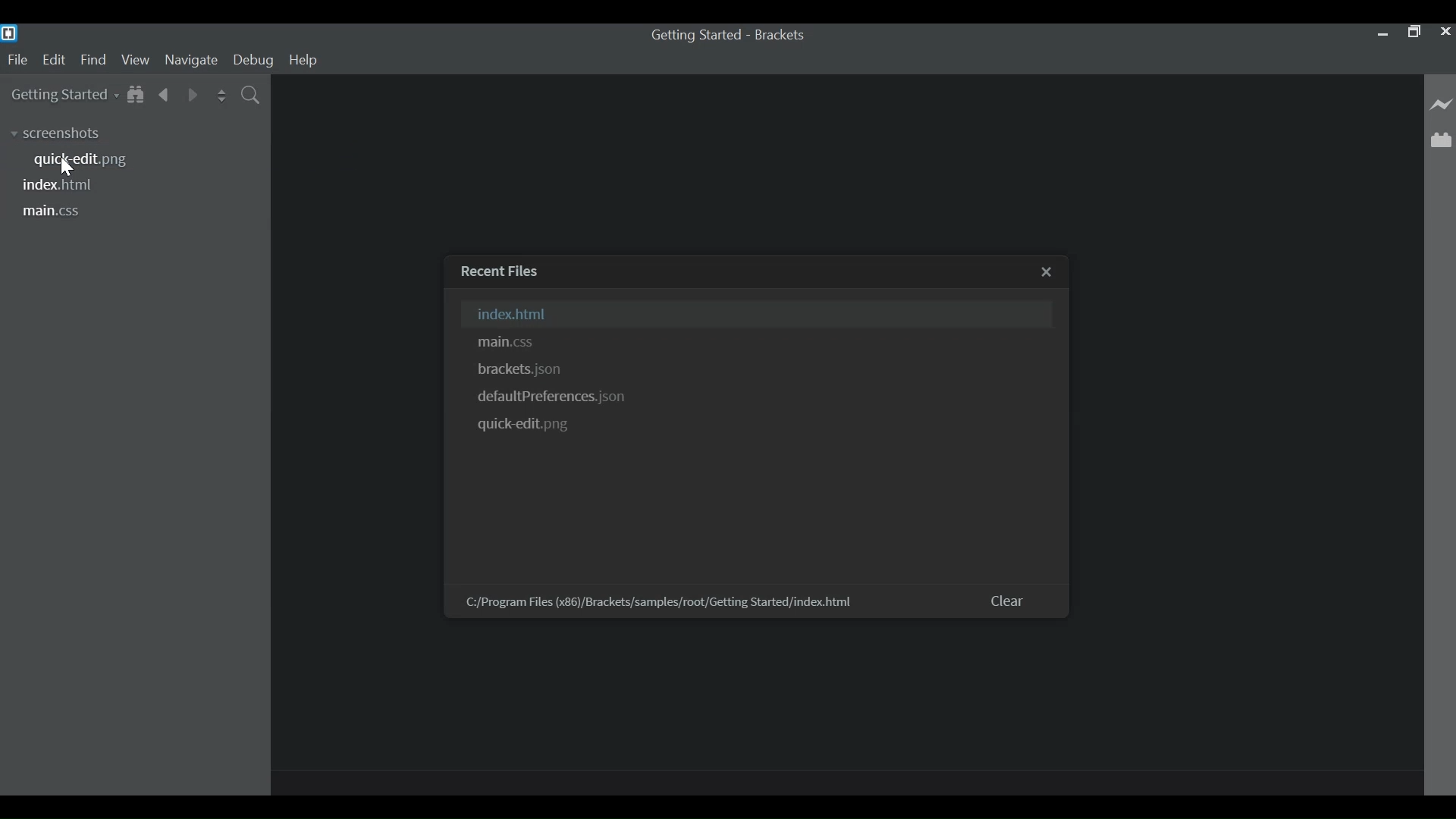 This screenshot has width=1456, height=819. I want to click on Exit, so click(1049, 272).